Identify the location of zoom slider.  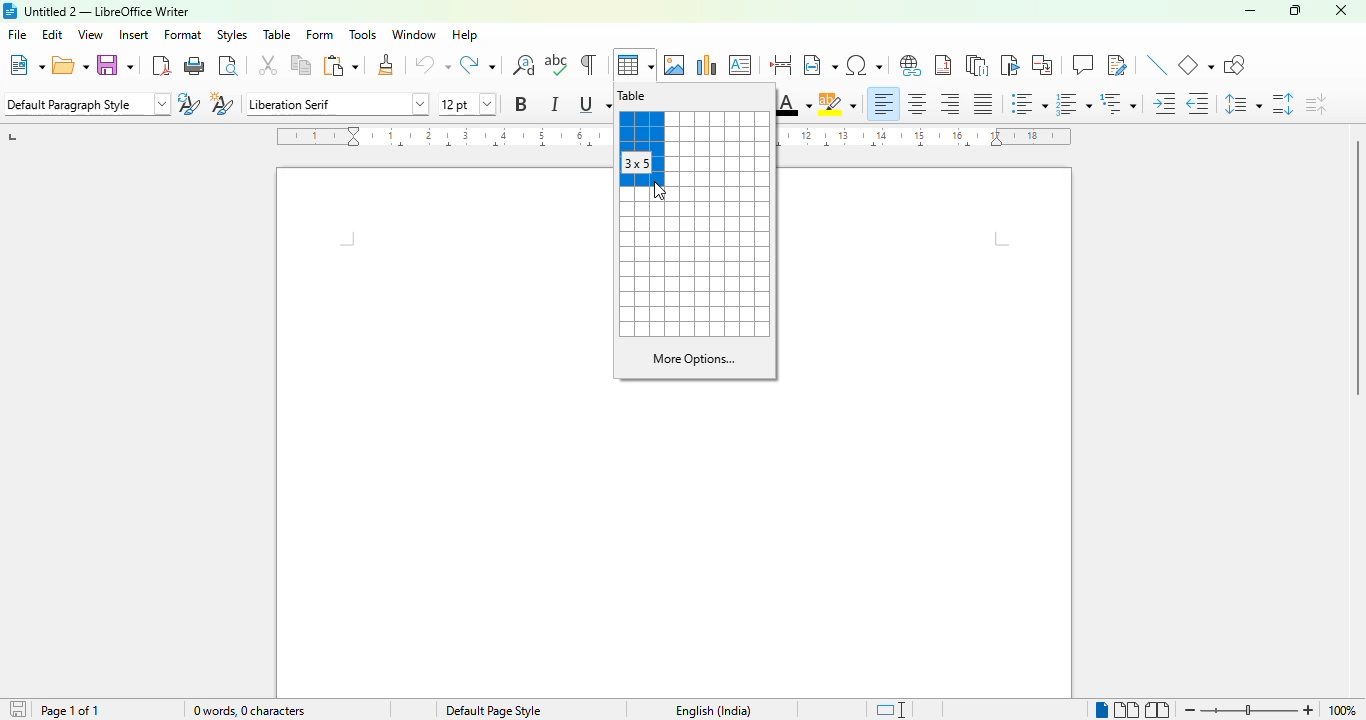
(1251, 709).